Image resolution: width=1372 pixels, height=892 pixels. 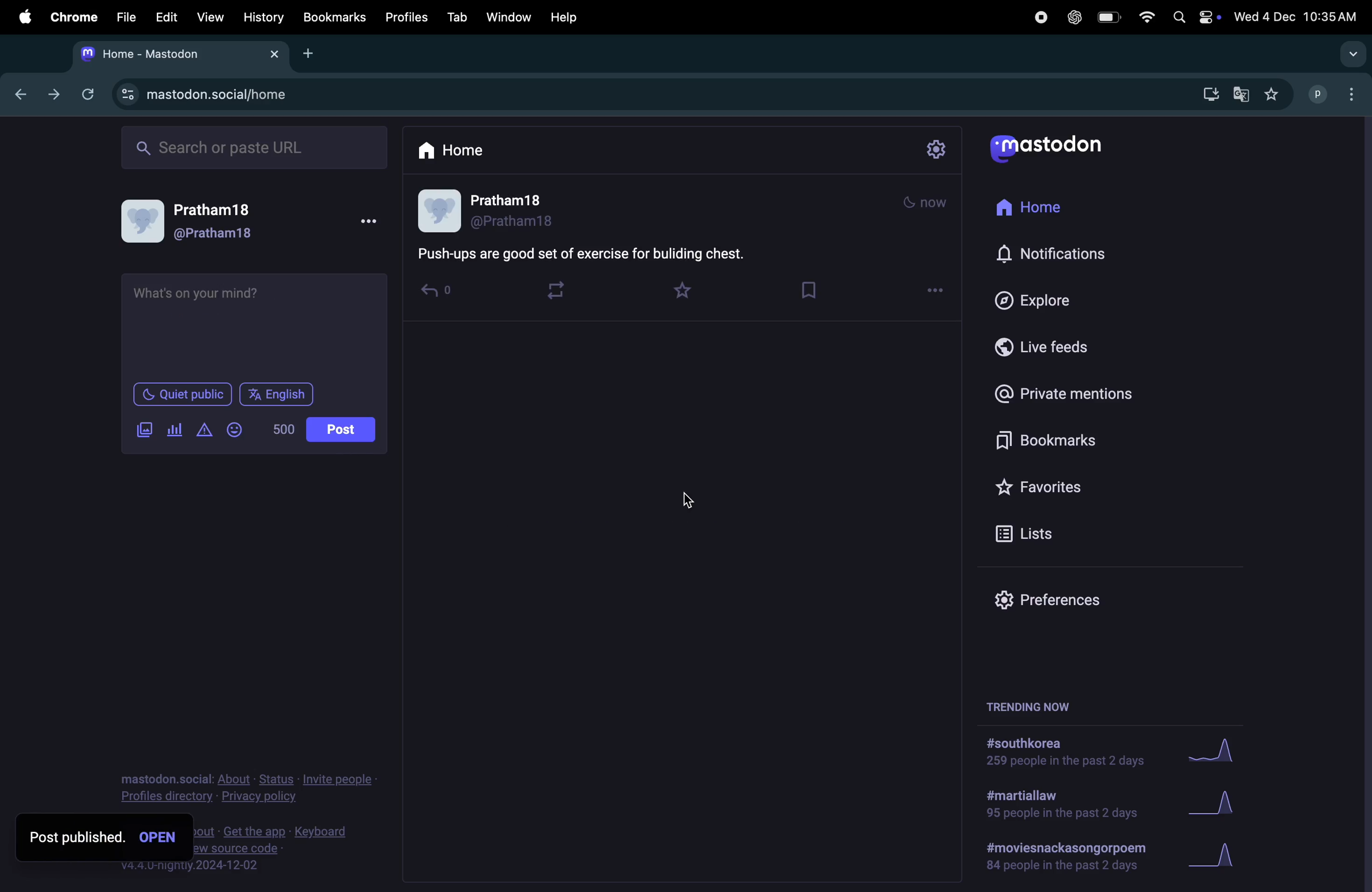 I want to click on Mastodon, so click(x=1060, y=148).